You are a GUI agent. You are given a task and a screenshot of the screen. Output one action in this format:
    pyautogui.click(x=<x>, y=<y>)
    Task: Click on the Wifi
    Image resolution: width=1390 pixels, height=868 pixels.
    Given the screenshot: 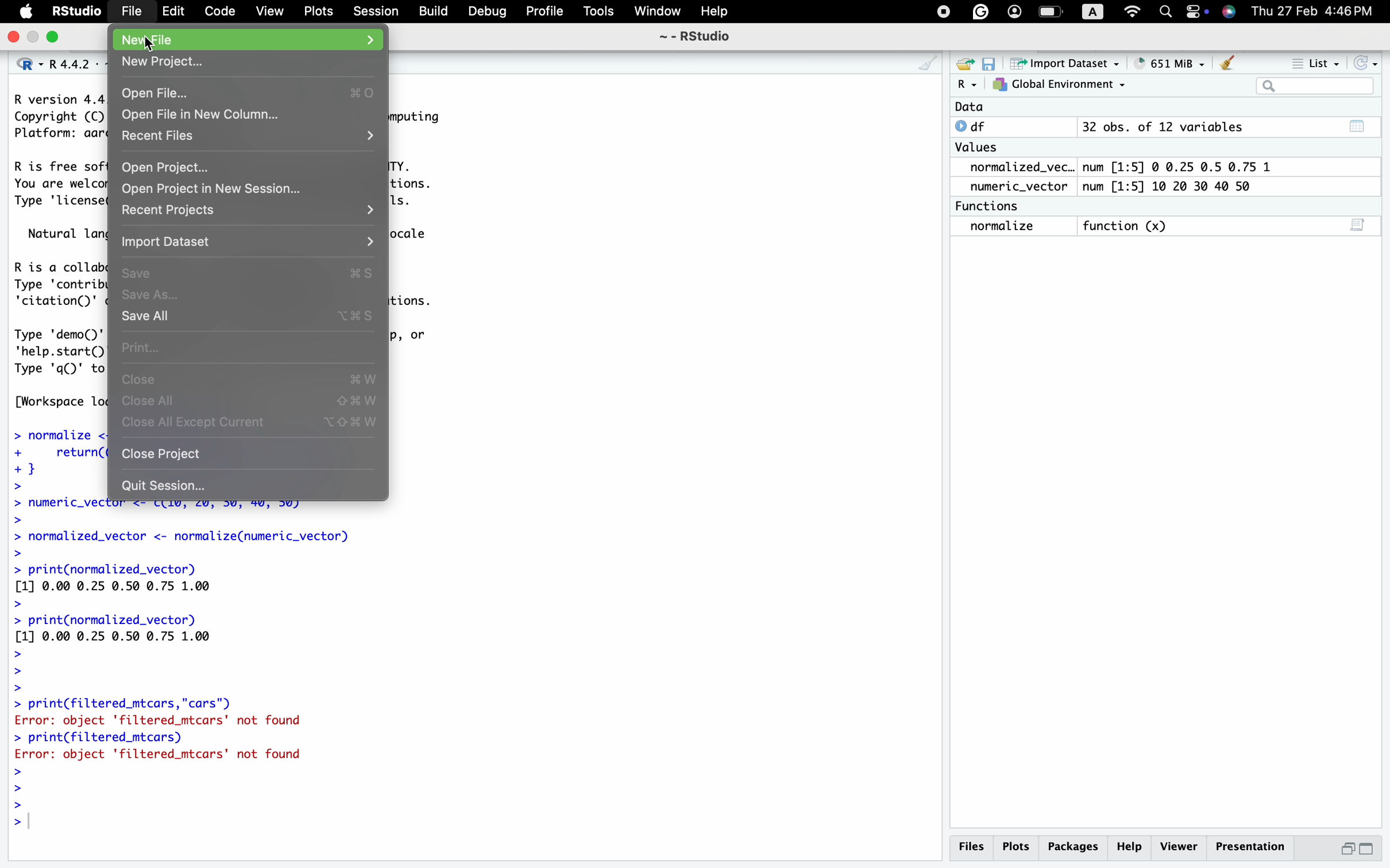 What is the action you would take?
    pyautogui.click(x=1128, y=11)
    